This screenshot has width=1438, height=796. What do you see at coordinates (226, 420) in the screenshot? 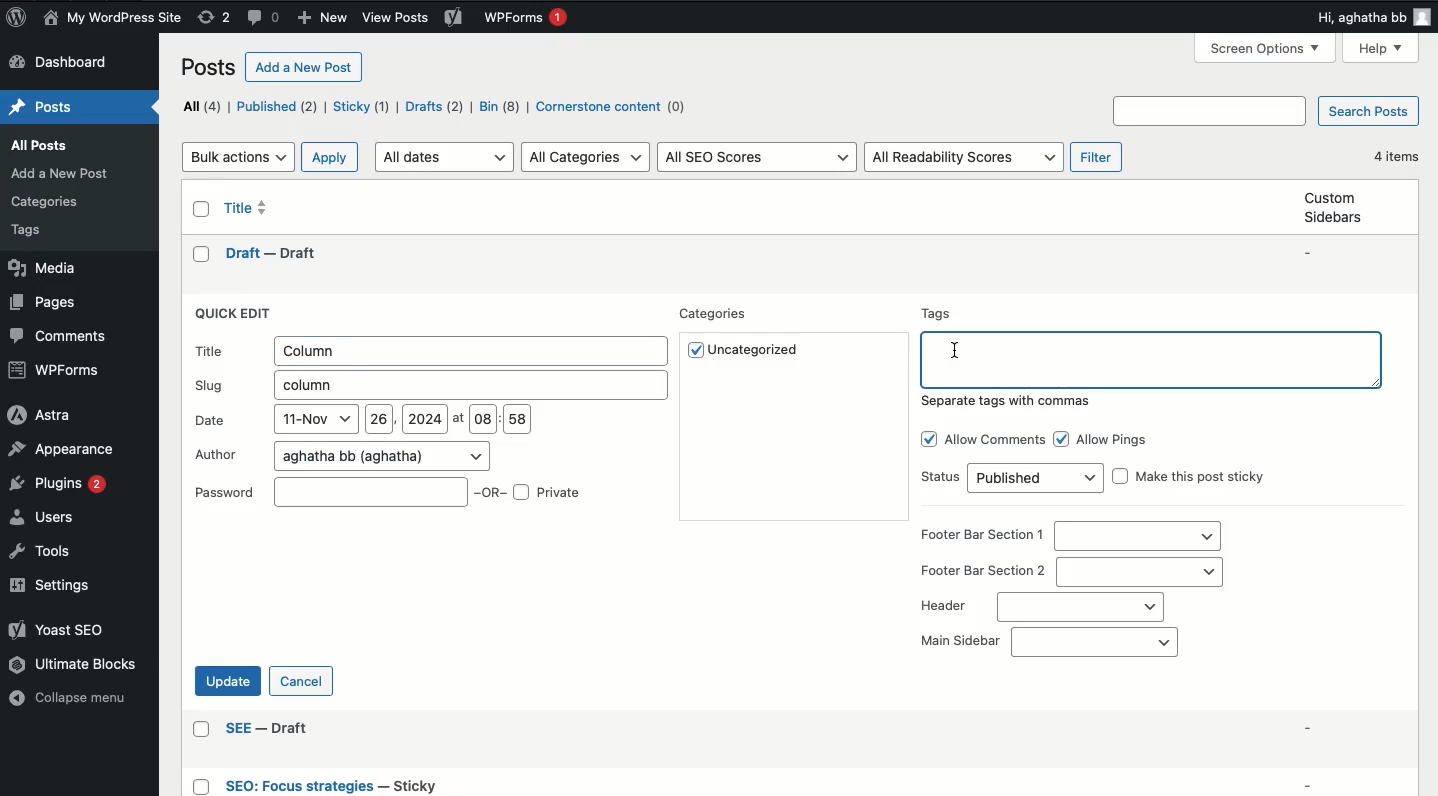
I see `Date` at bounding box center [226, 420].